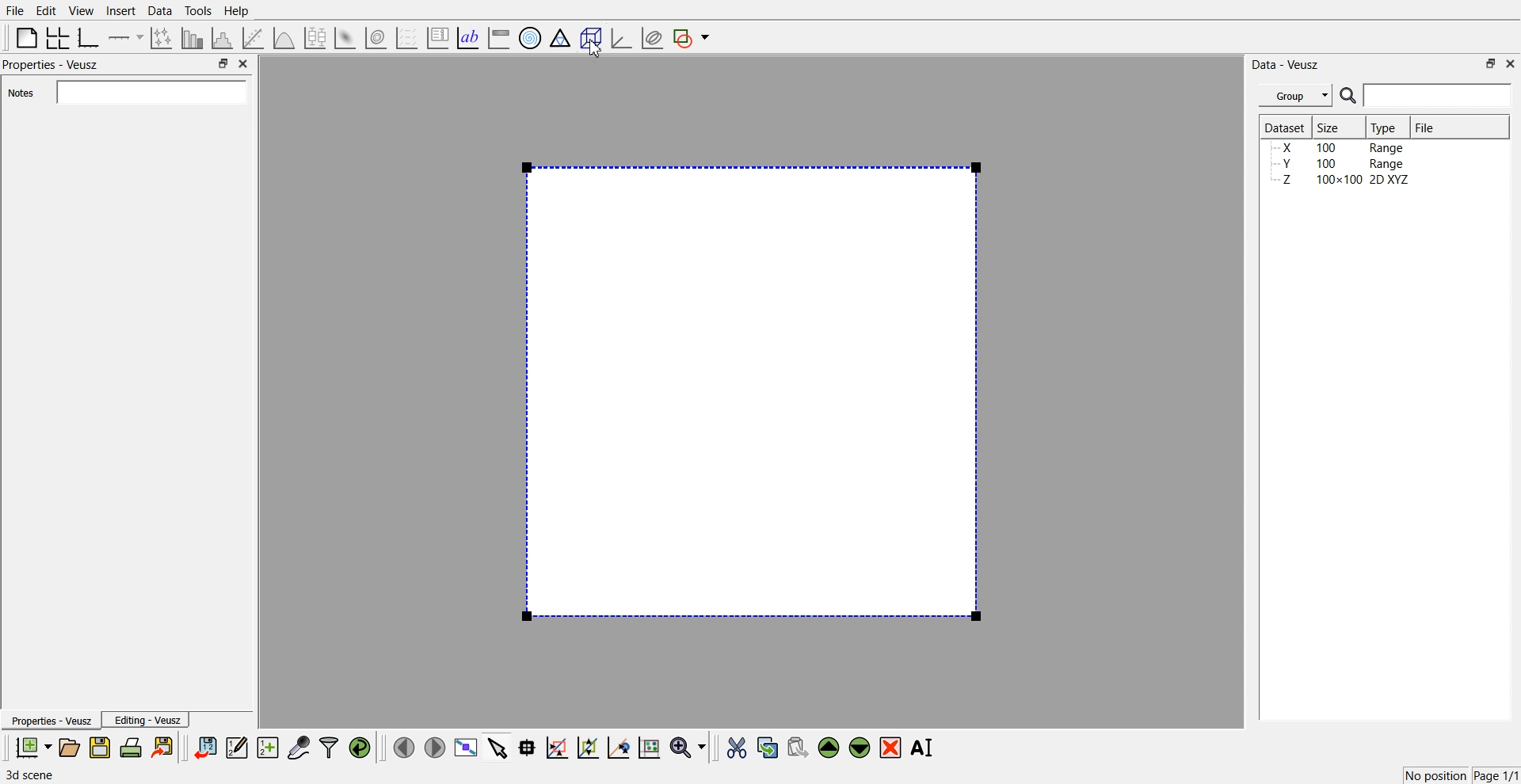  What do you see at coordinates (467, 747) in the screenshot?
I see `View plot full screen` at bounding box center [467, 747].